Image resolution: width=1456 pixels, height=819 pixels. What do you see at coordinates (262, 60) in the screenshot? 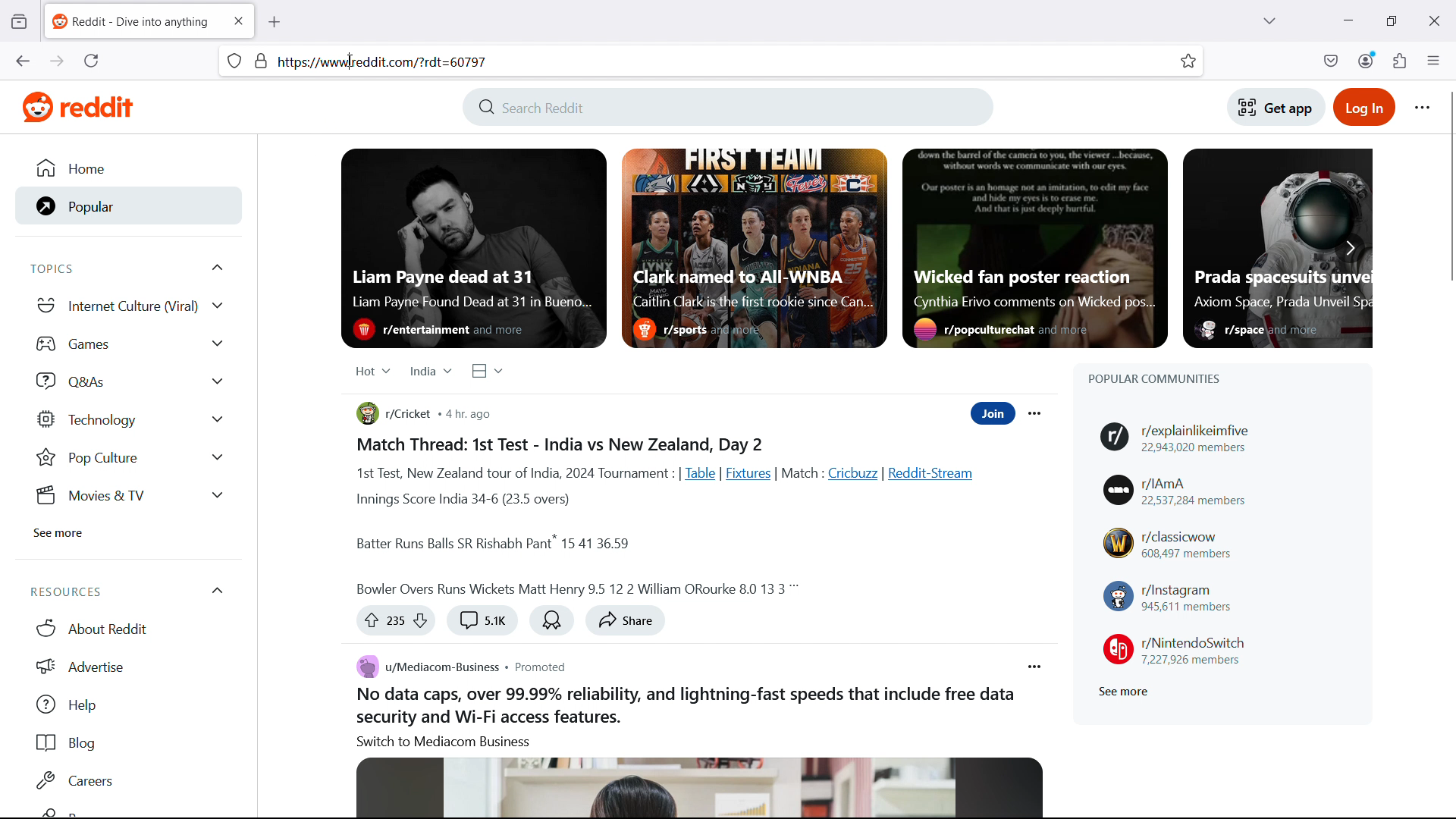
I see `page security` at bounding box center [262, 60].